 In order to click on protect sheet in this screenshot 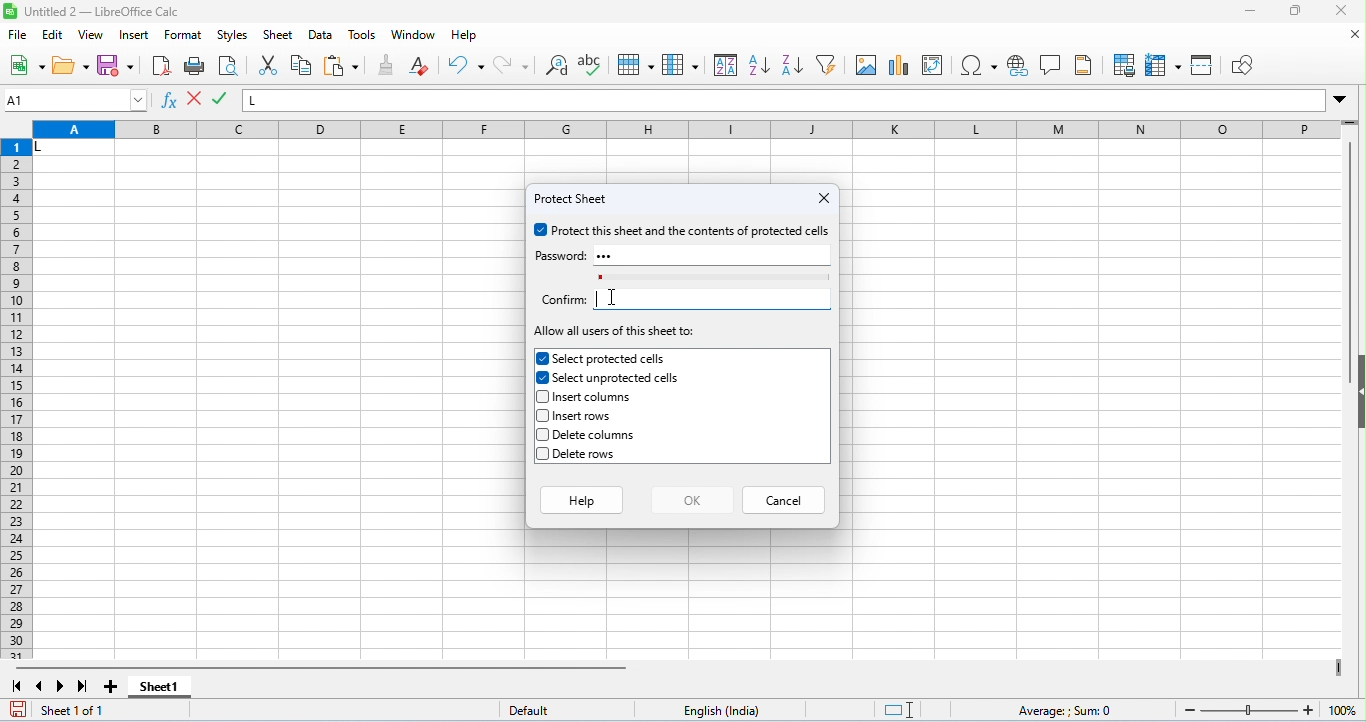, I will do `click(575, 199)`.